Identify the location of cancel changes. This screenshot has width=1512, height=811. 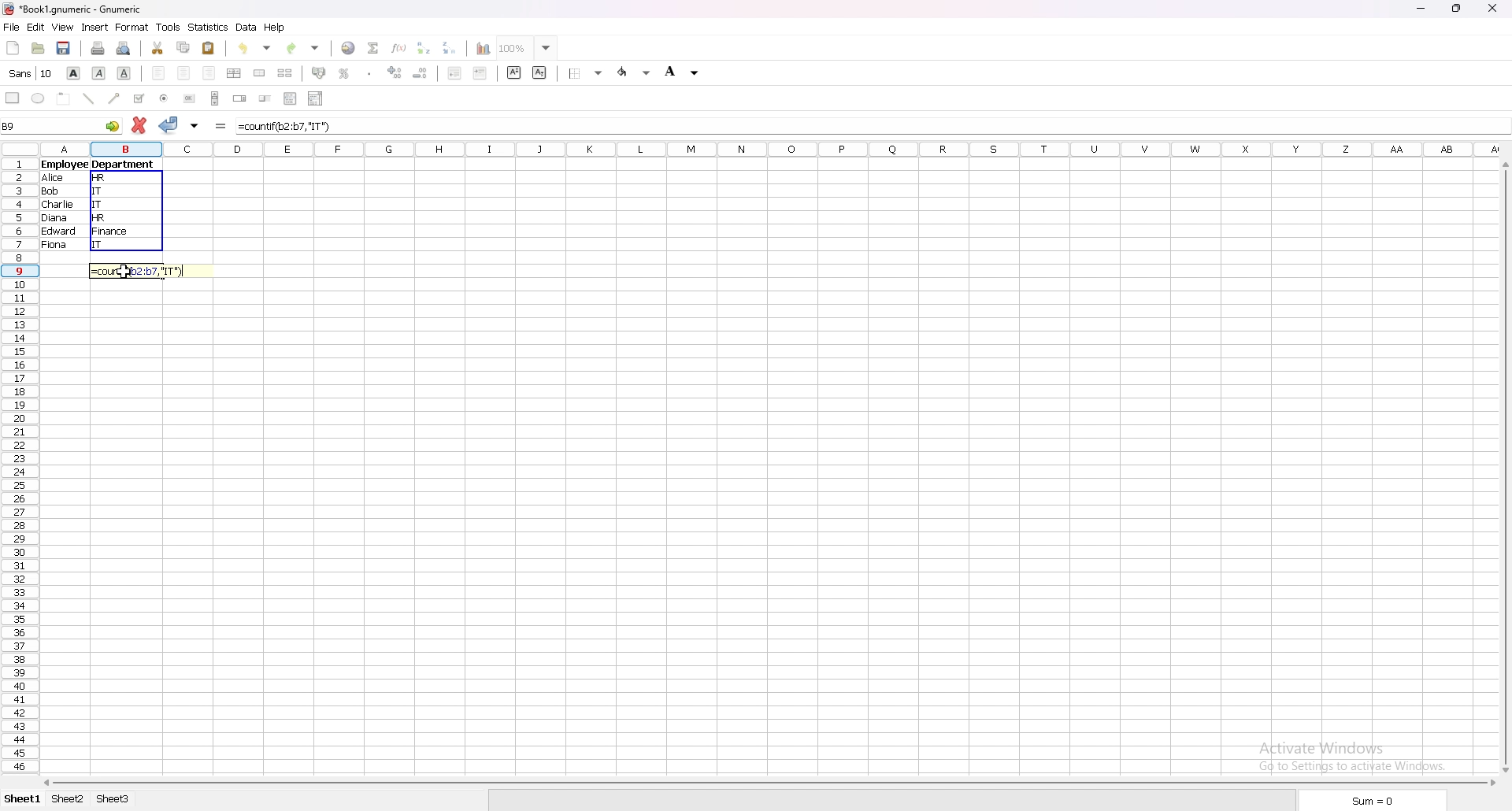
(139, 125).